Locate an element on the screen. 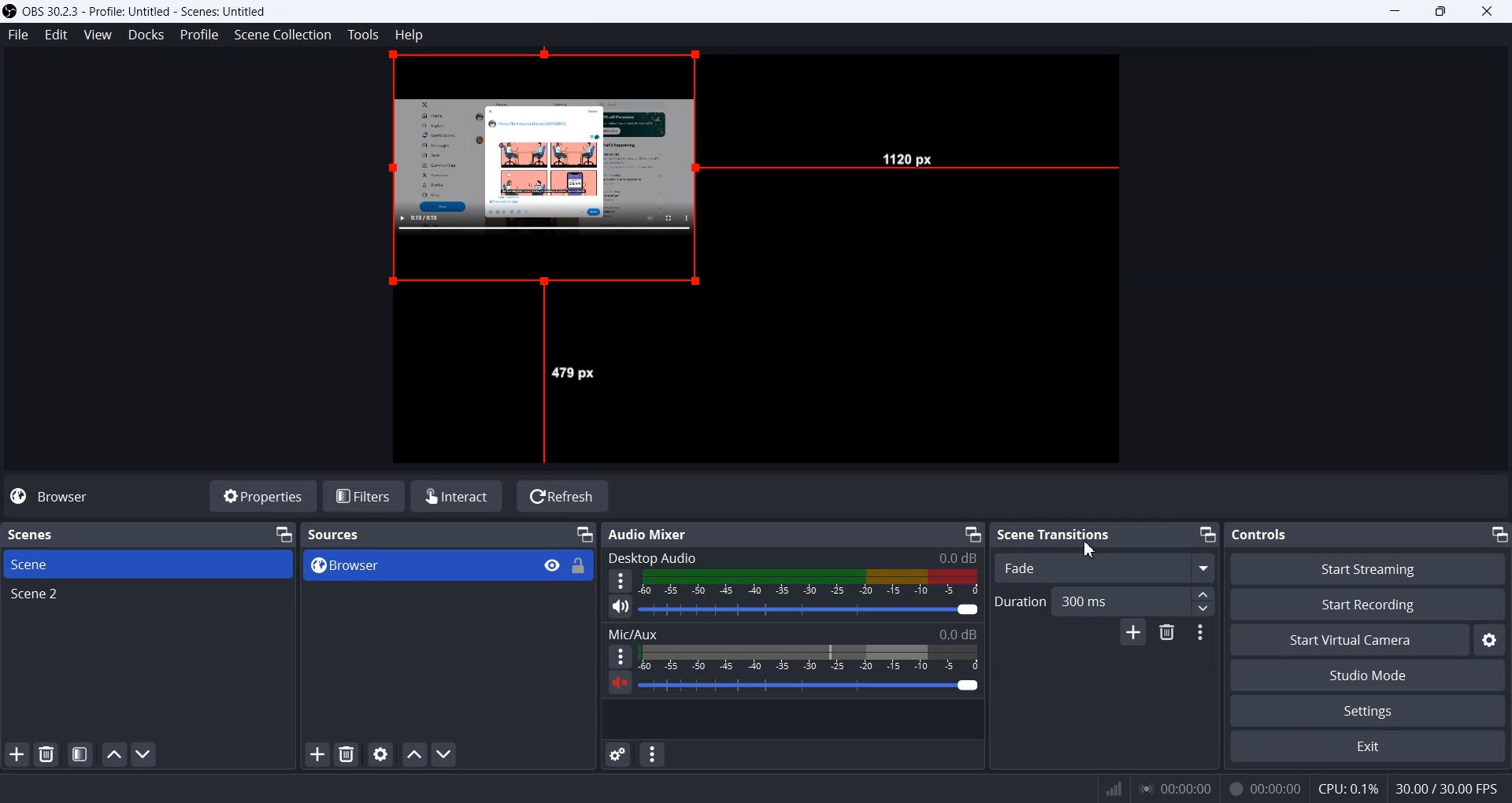 The width and height of the screenshot is (1512, 803). Move sources up is located at coordinates (413, 753).